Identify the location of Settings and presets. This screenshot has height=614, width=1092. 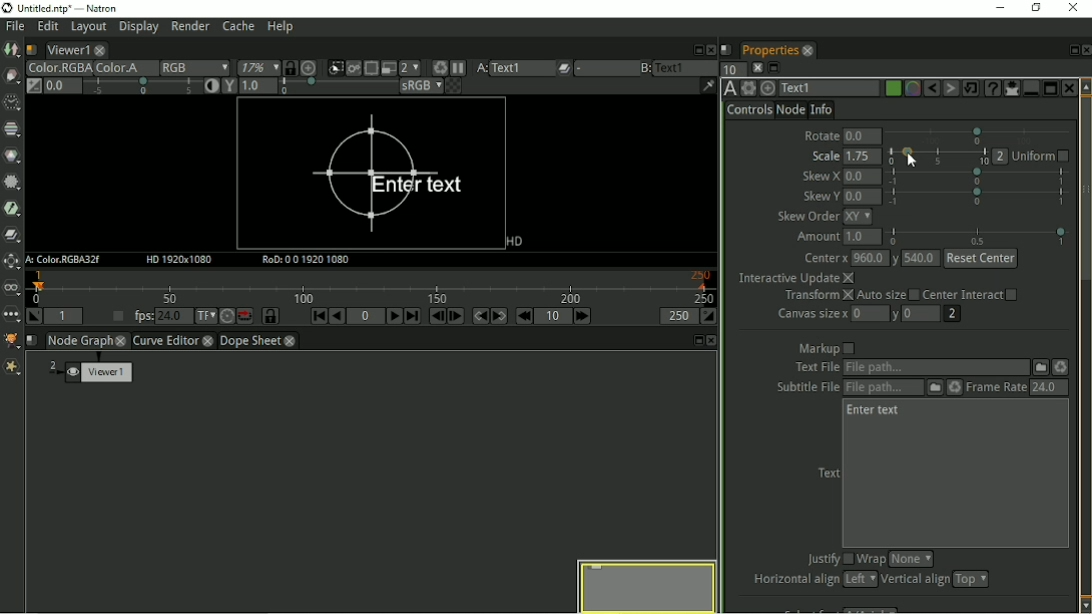
(748, 88).